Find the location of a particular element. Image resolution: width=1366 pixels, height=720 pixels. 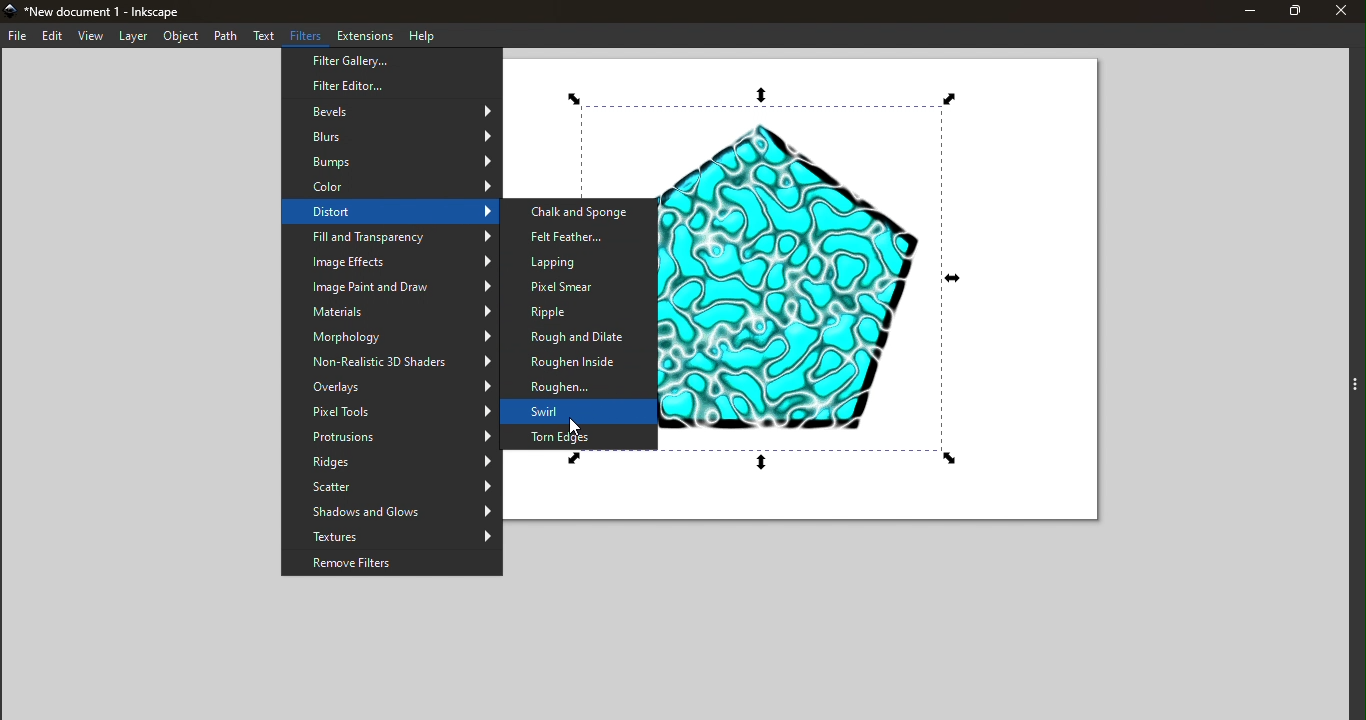

Ridges is located at coordinates (391, 462).